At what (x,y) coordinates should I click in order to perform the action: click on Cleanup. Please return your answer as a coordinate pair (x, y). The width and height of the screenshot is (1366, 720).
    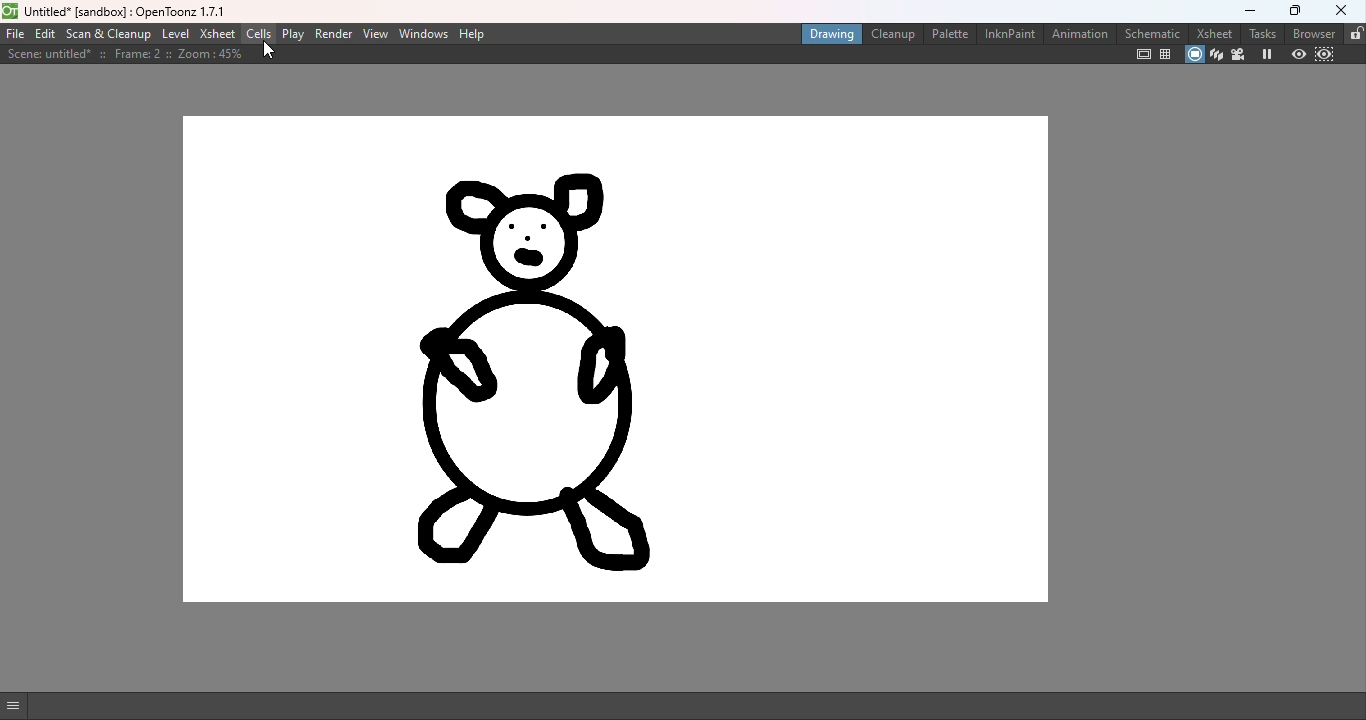
    Looking at the image, I should click on (895, 34).